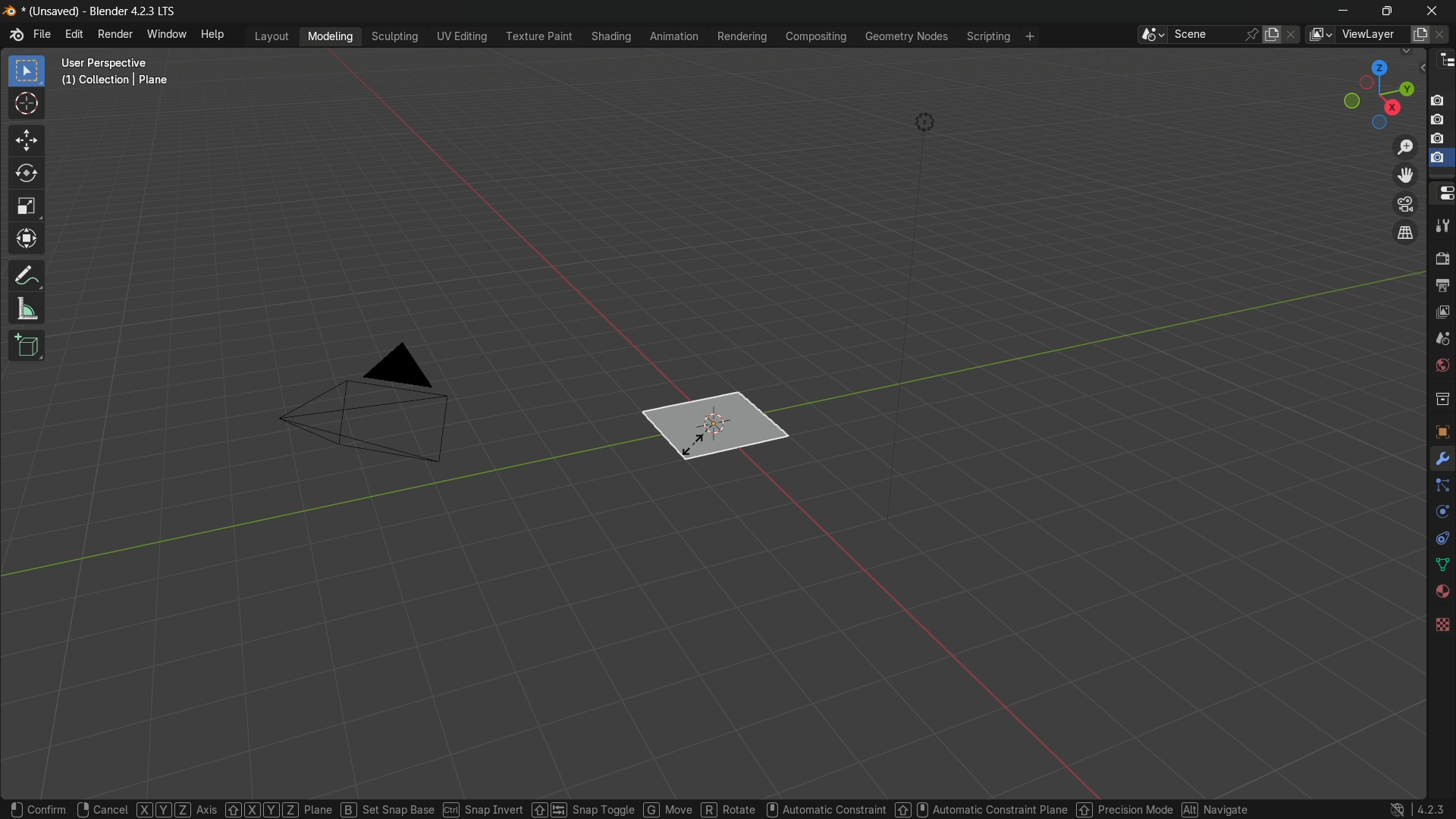 This screenshot has width=1456, height=819. Describe the element at coordinates (610, 36) in the screenshot. I see `shading` at that location.